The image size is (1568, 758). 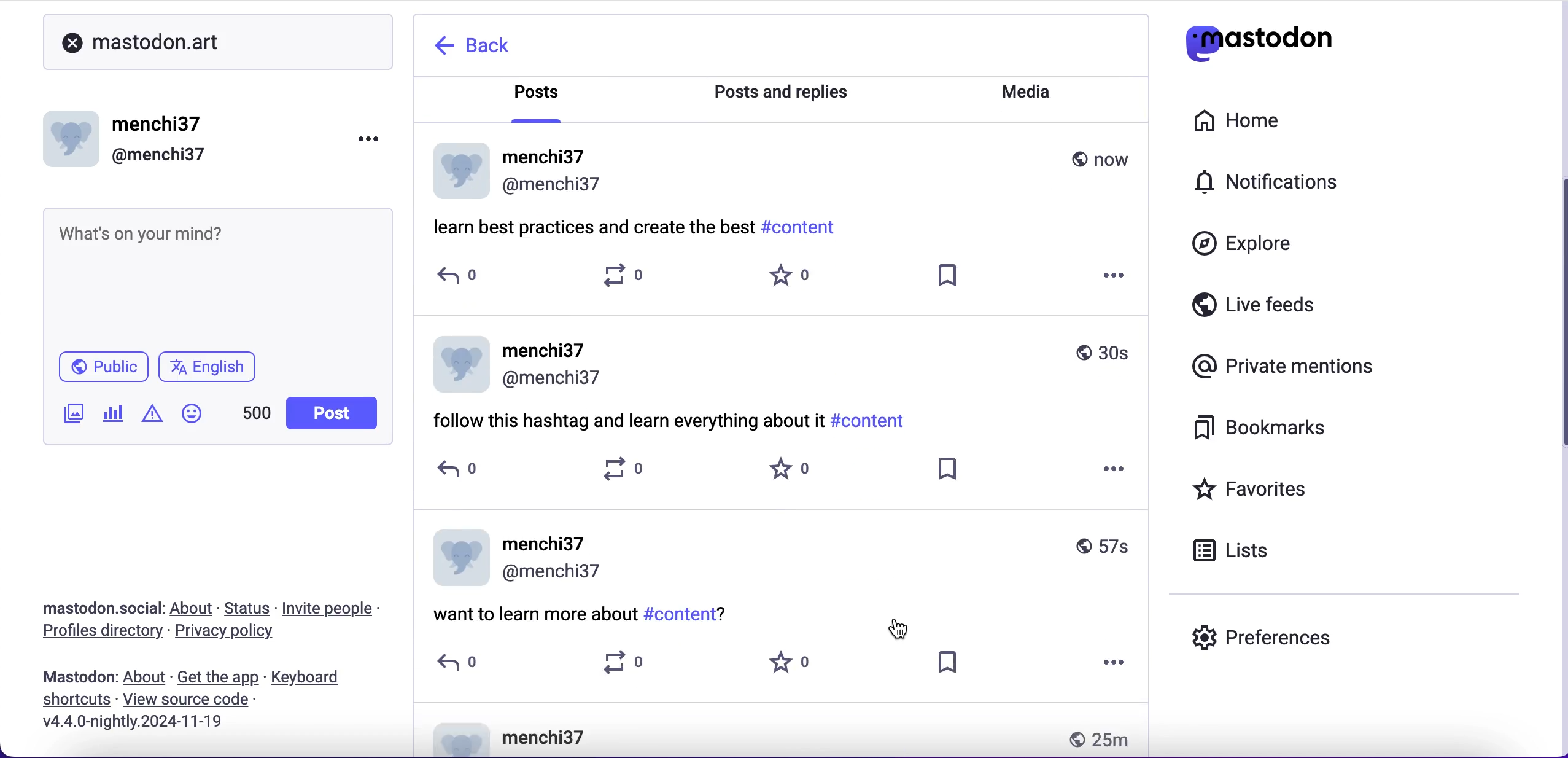 What do you see at coordinates (248, 608) in the screenshot?
I see `status` at bounding box center [248, 608].